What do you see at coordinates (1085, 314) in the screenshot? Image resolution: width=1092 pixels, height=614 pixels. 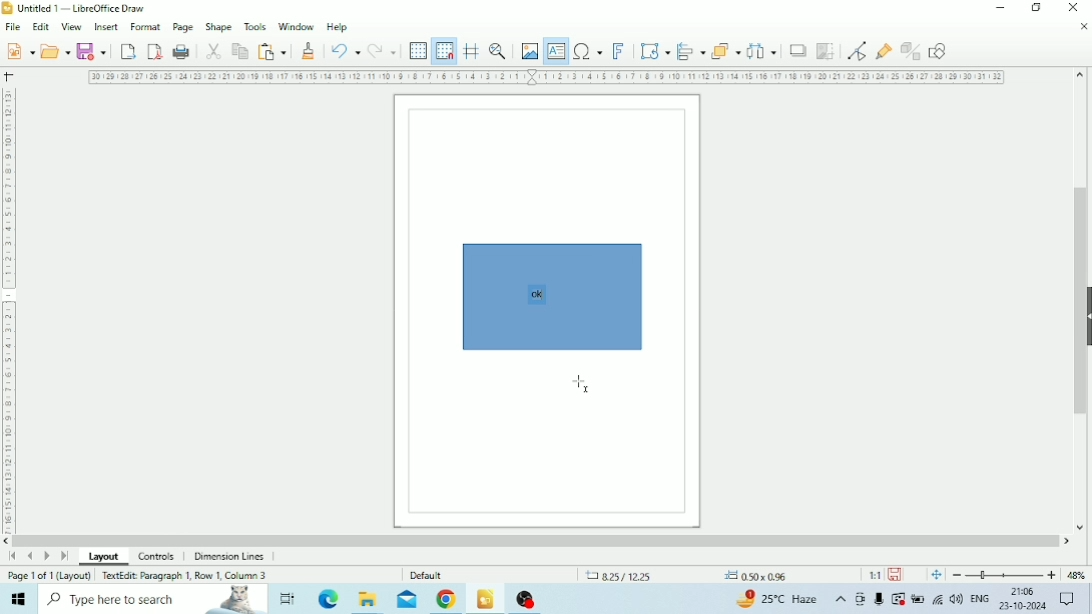 I see `Show` at bounding box center [1085, 314].